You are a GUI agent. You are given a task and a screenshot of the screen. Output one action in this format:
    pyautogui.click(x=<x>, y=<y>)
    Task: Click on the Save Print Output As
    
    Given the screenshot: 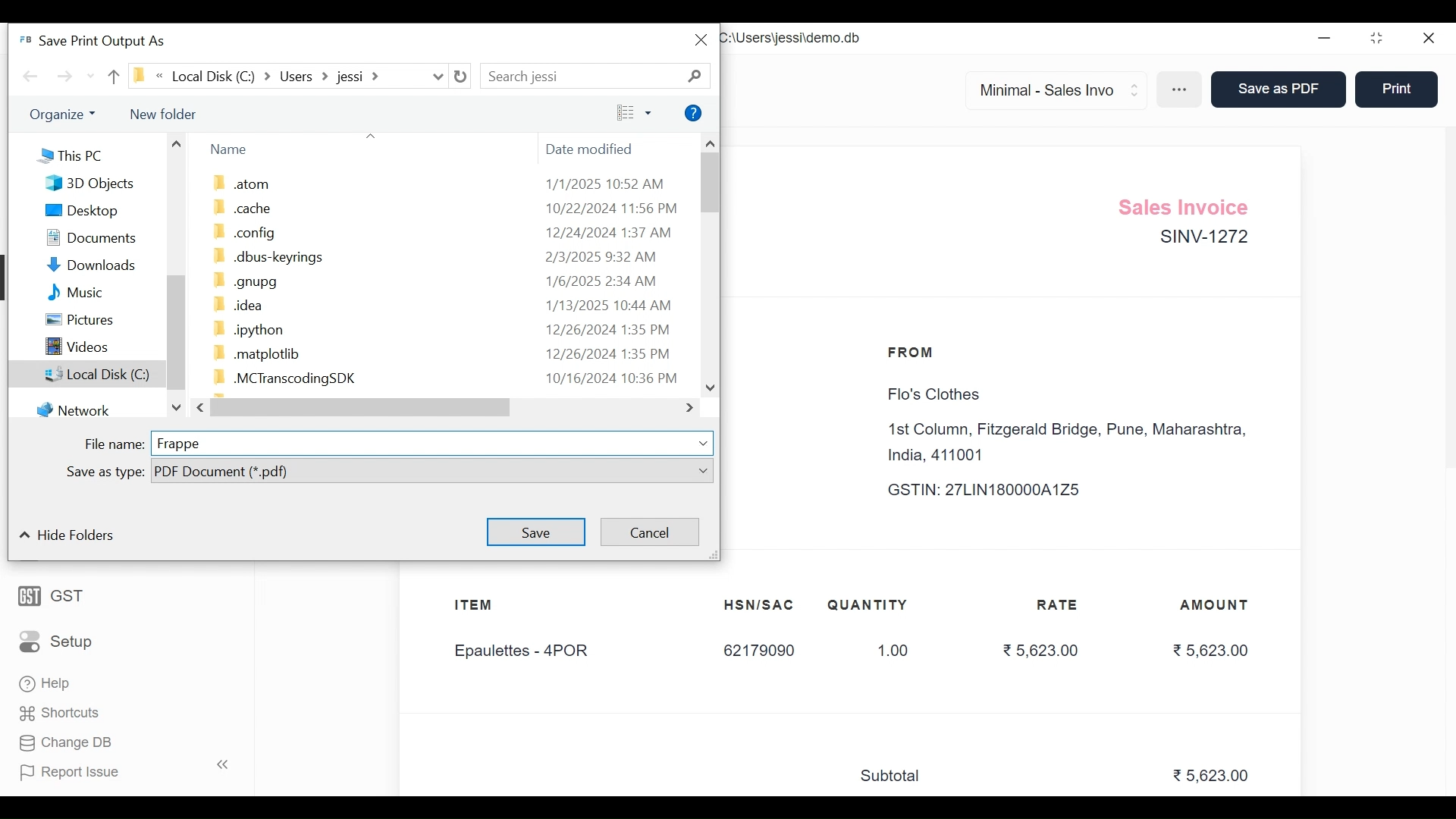 What is the action you would take?
    pyautogui.click(x=97, y=39)
    